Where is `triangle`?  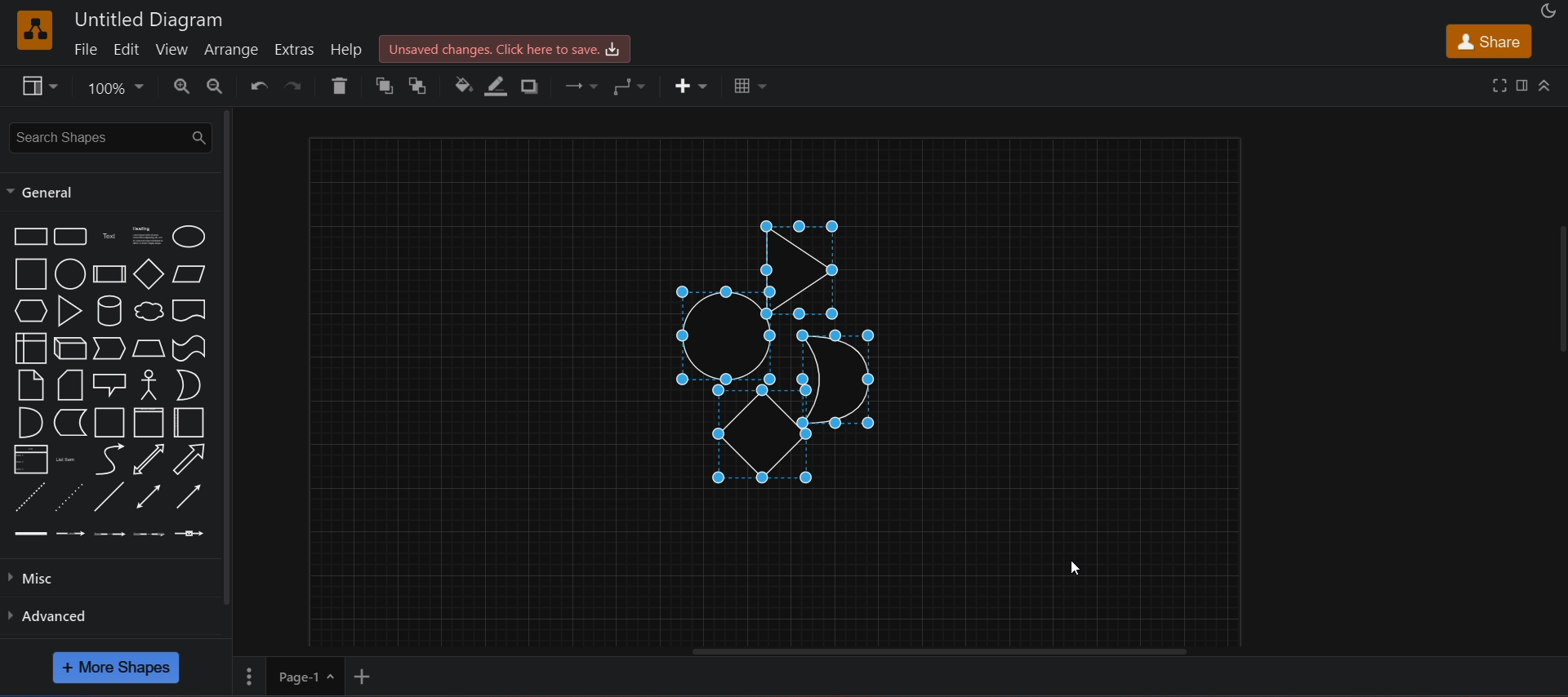 triangle is located at coordinates (69, 310).